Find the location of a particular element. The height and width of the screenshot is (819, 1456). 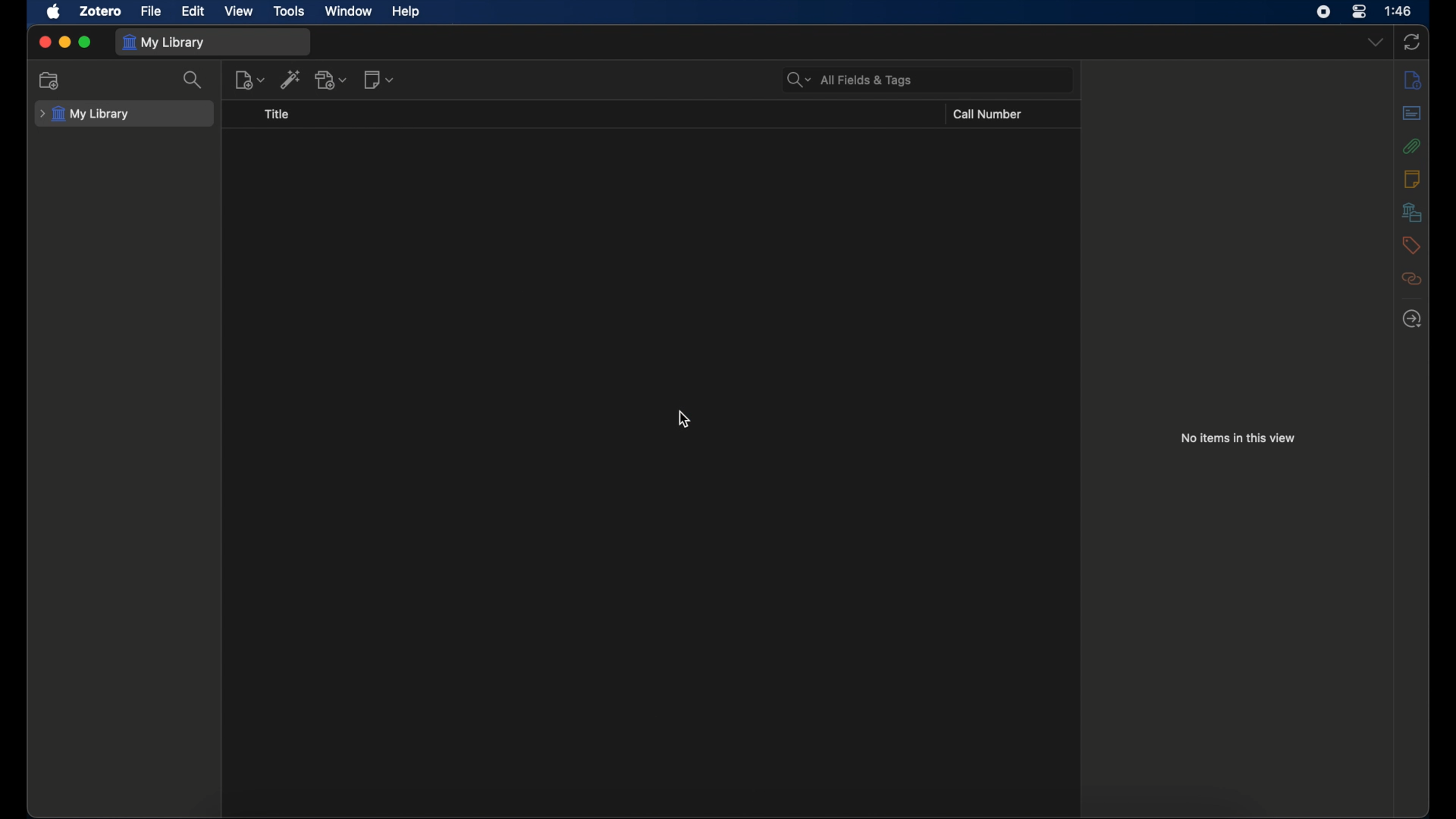

add item by identifier is located at coordinates (291, 79).